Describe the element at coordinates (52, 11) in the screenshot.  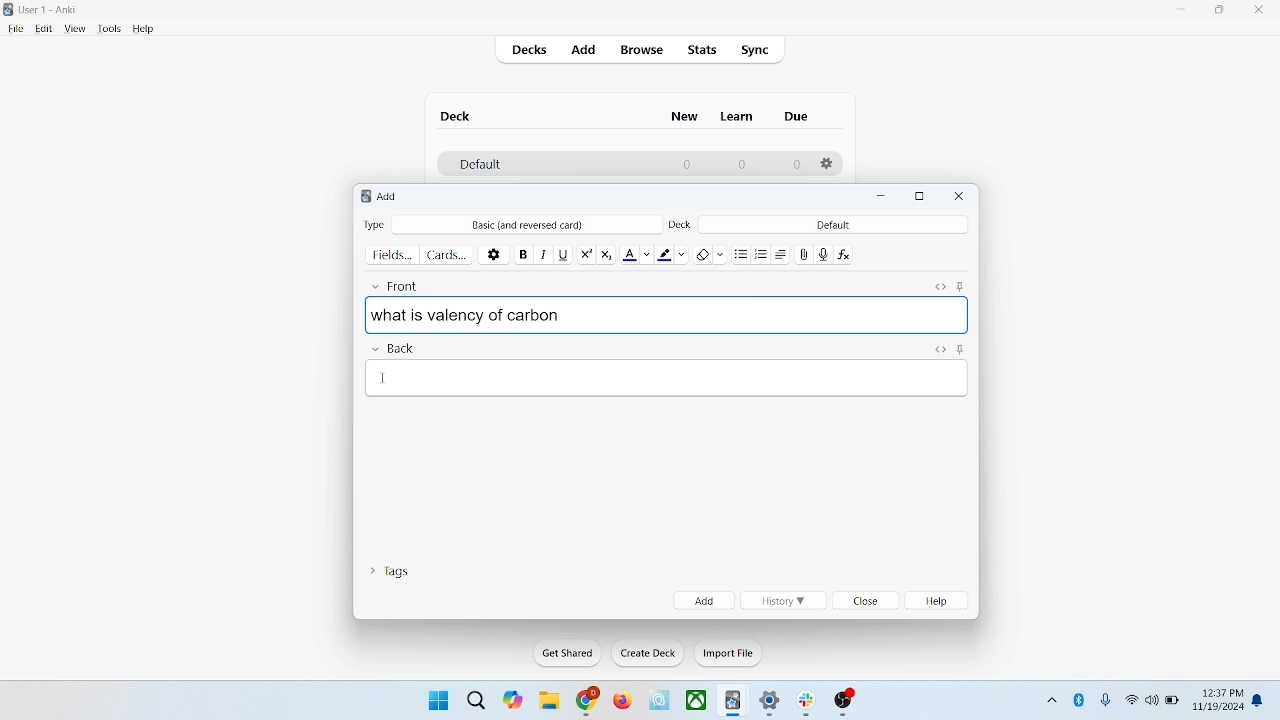
I see `User-1 Anki` at that location.